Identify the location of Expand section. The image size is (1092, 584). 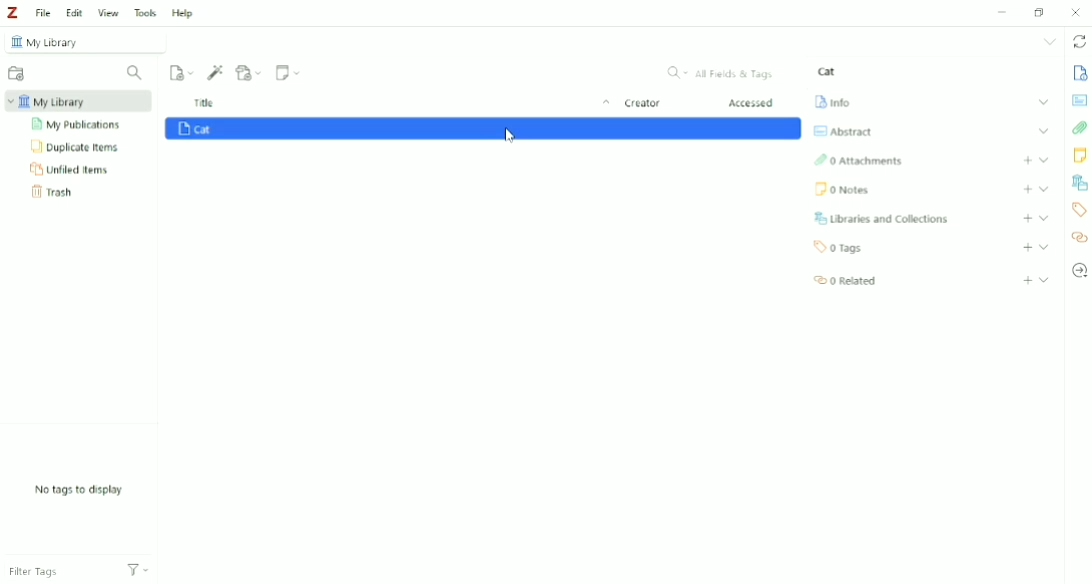
(1043, 218).